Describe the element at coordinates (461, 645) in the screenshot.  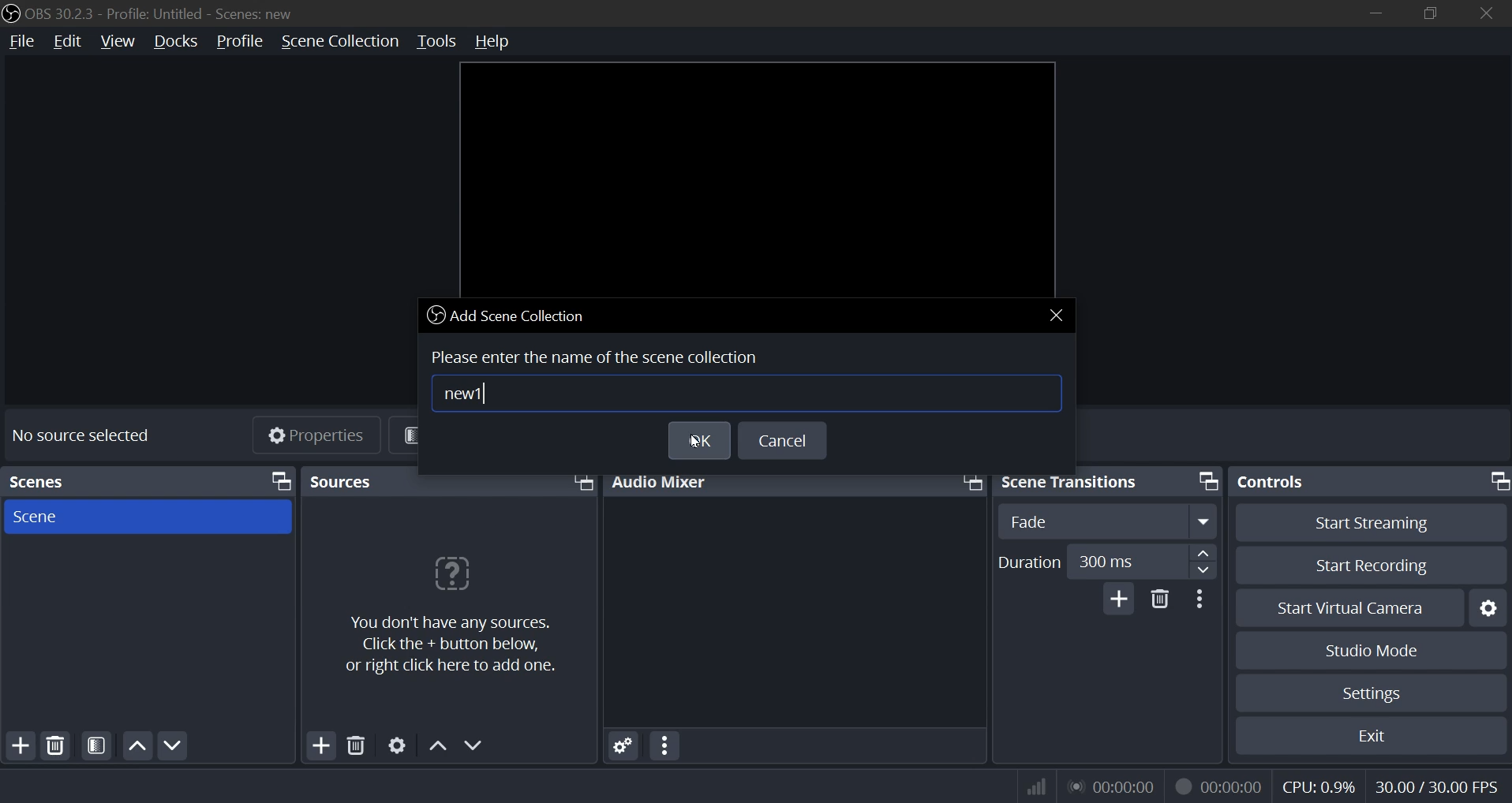
I see `You don't have any sources.
Click the + button below,
or right click here to add one.` at that location.